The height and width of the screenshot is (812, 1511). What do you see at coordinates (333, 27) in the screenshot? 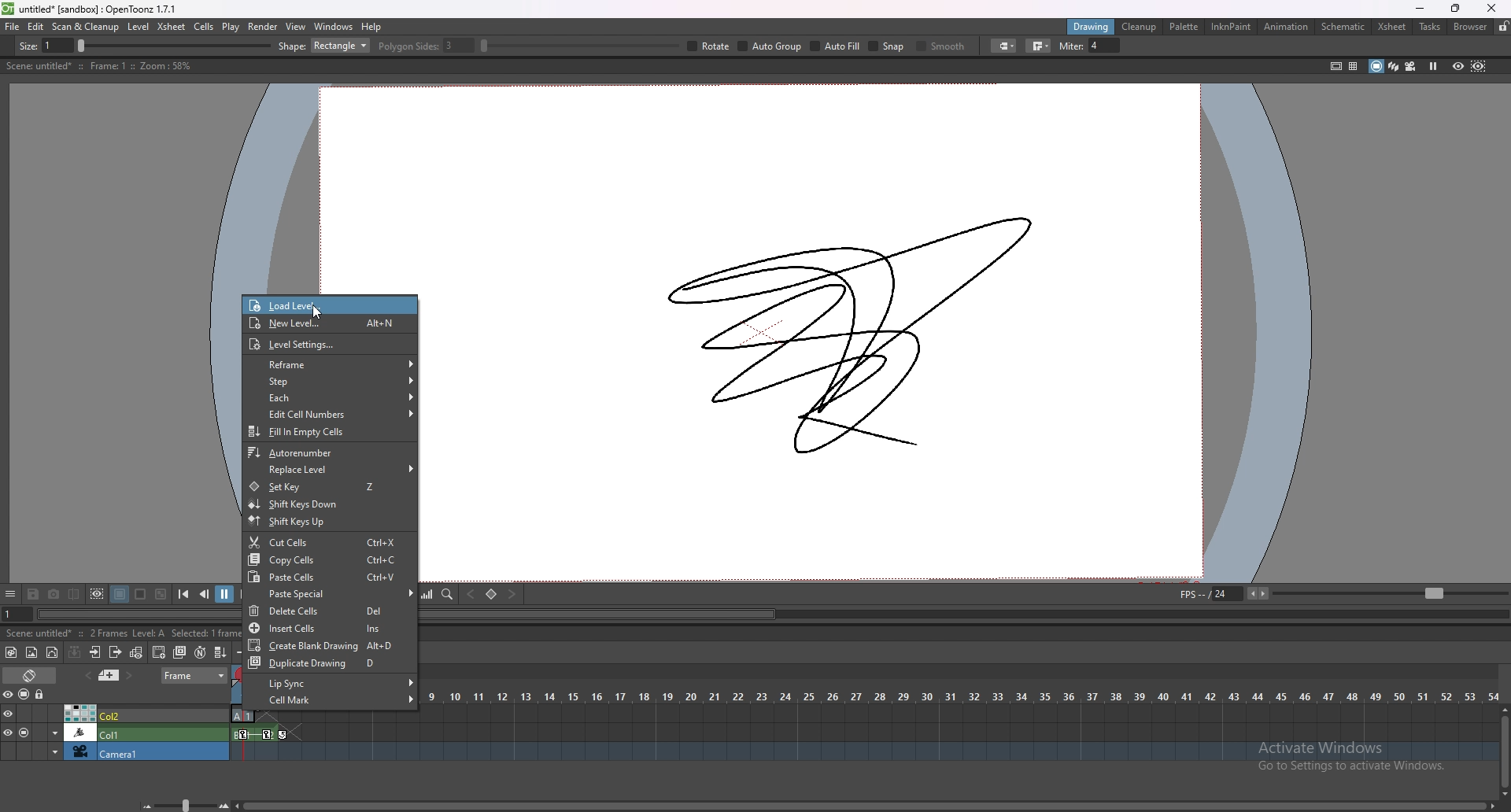
I see `windows` at bounding box center [333, 27].